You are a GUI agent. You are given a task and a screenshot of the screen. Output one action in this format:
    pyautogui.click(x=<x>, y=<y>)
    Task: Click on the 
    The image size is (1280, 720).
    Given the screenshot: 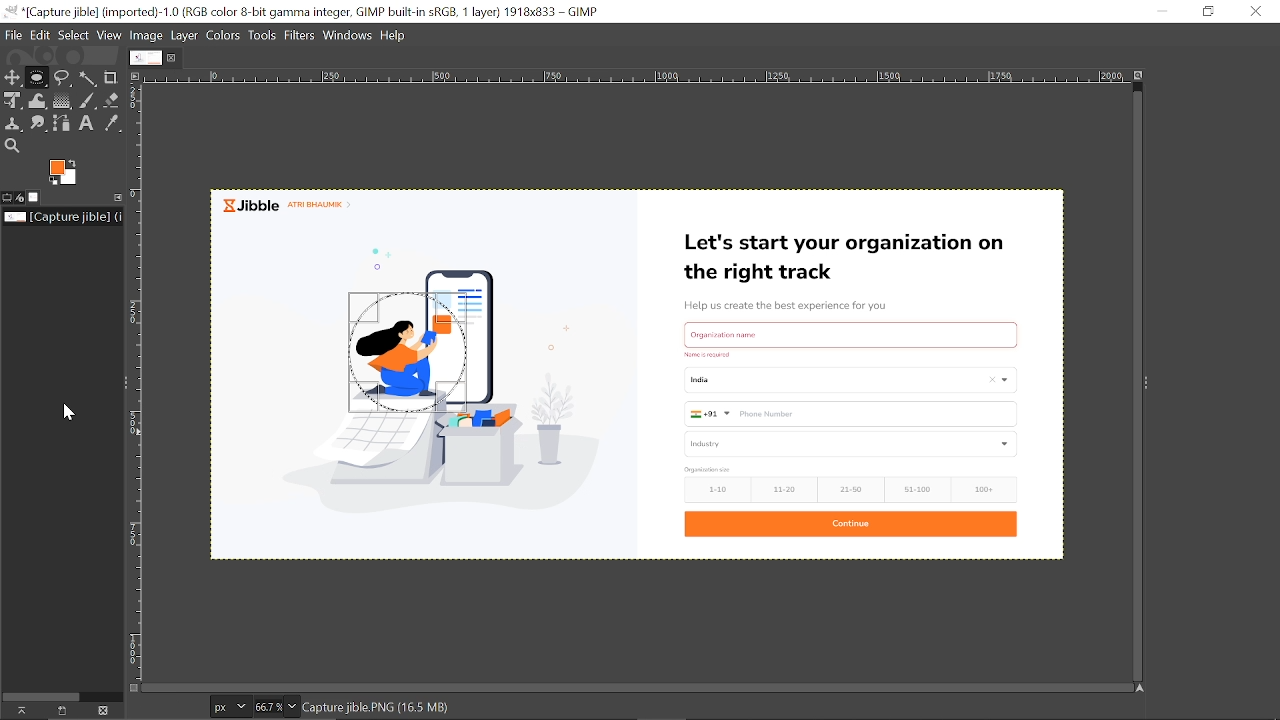 What is the action you would take?
    pyautogui.click(x=112, y=35)
    